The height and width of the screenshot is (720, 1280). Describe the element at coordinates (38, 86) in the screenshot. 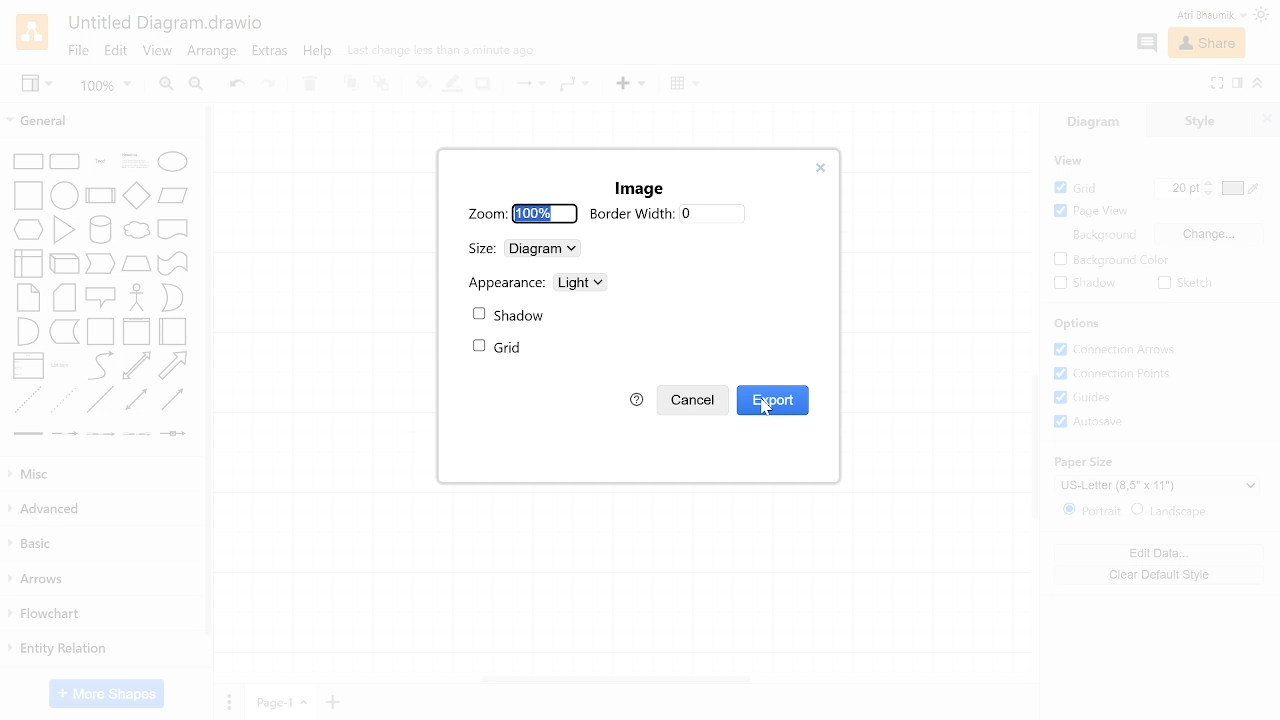

I see `View` at that location.